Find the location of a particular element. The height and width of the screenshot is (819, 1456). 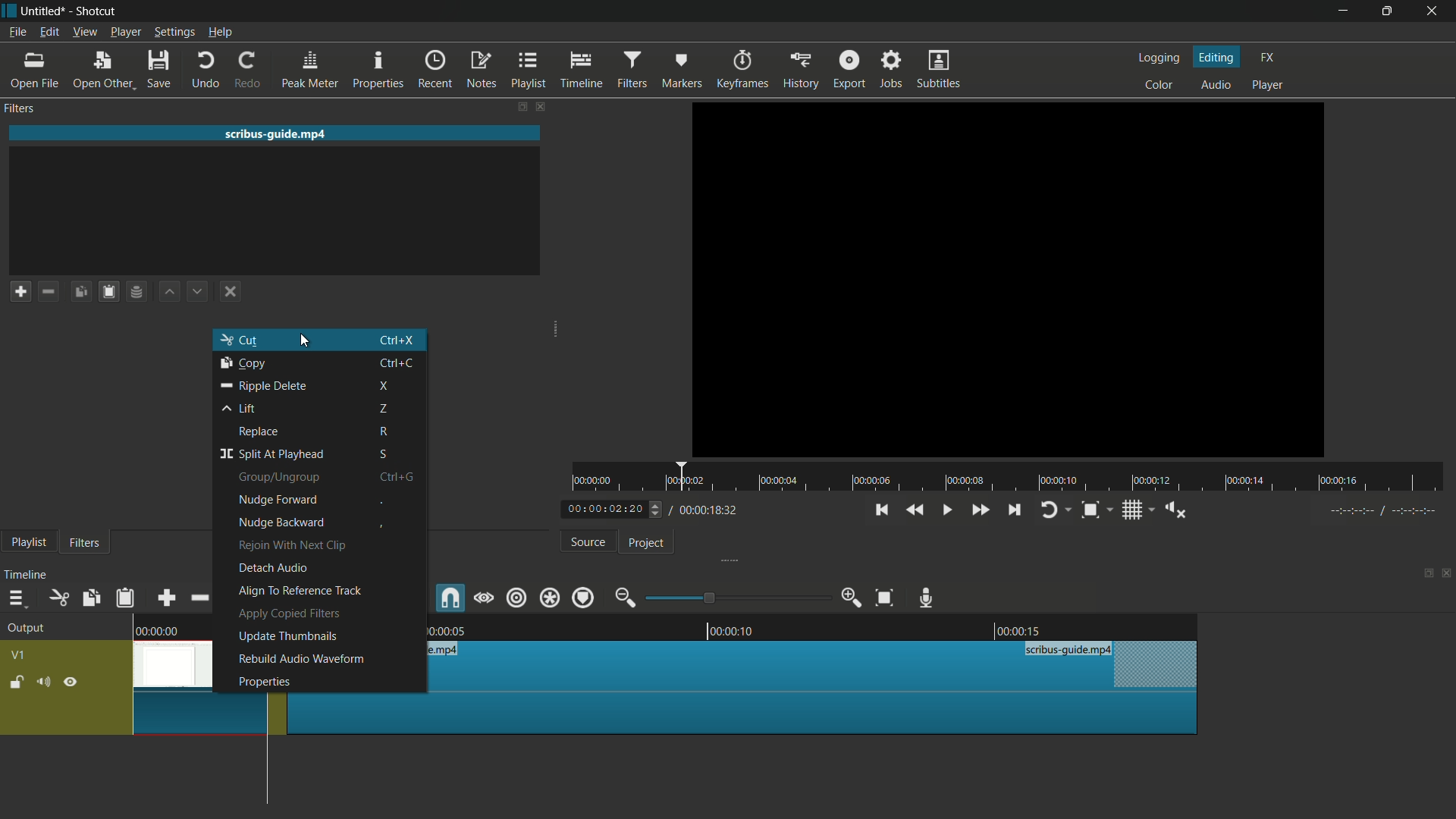

snap is located at coordinates (450, 598).